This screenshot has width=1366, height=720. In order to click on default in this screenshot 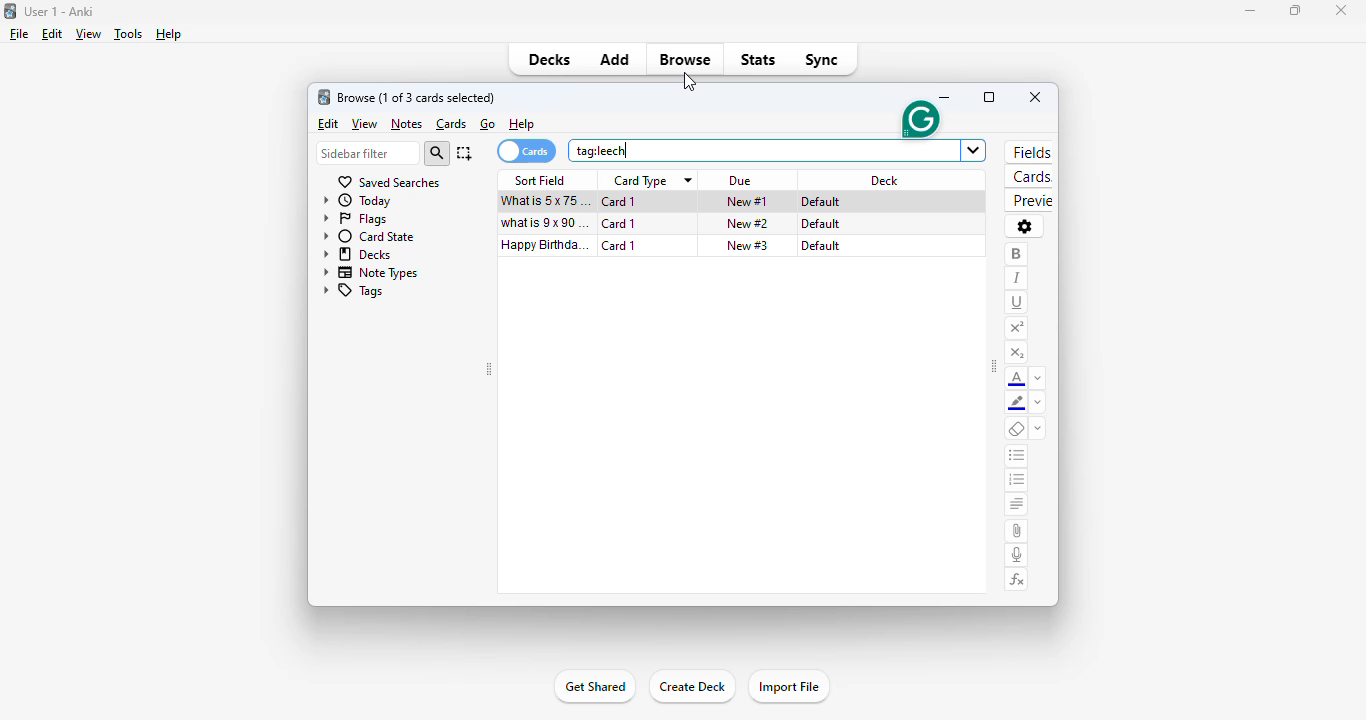, I will do `click(822, 223)`.